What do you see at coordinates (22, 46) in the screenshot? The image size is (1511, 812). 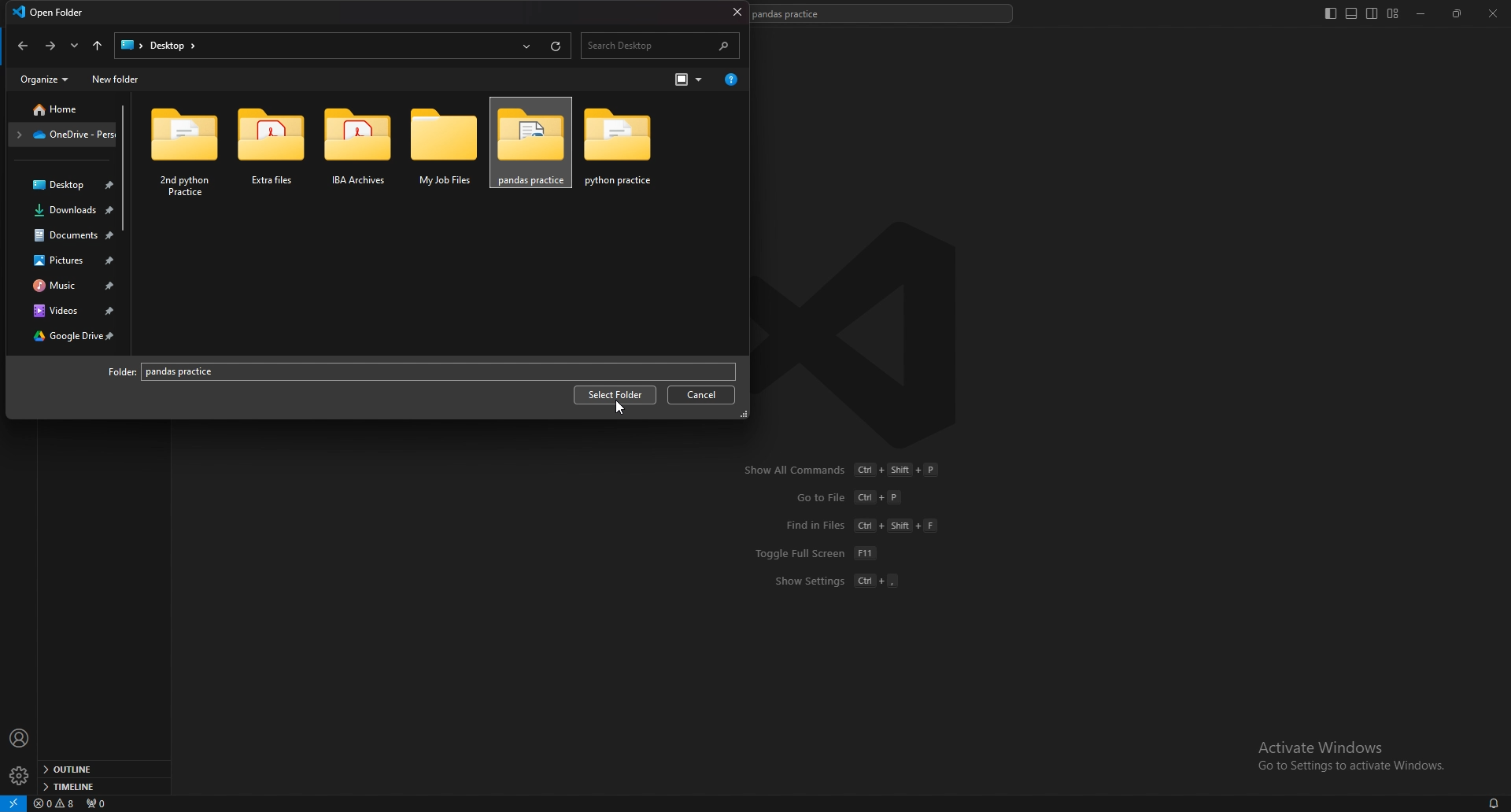 I see `back` at bounding box center [22, 46].